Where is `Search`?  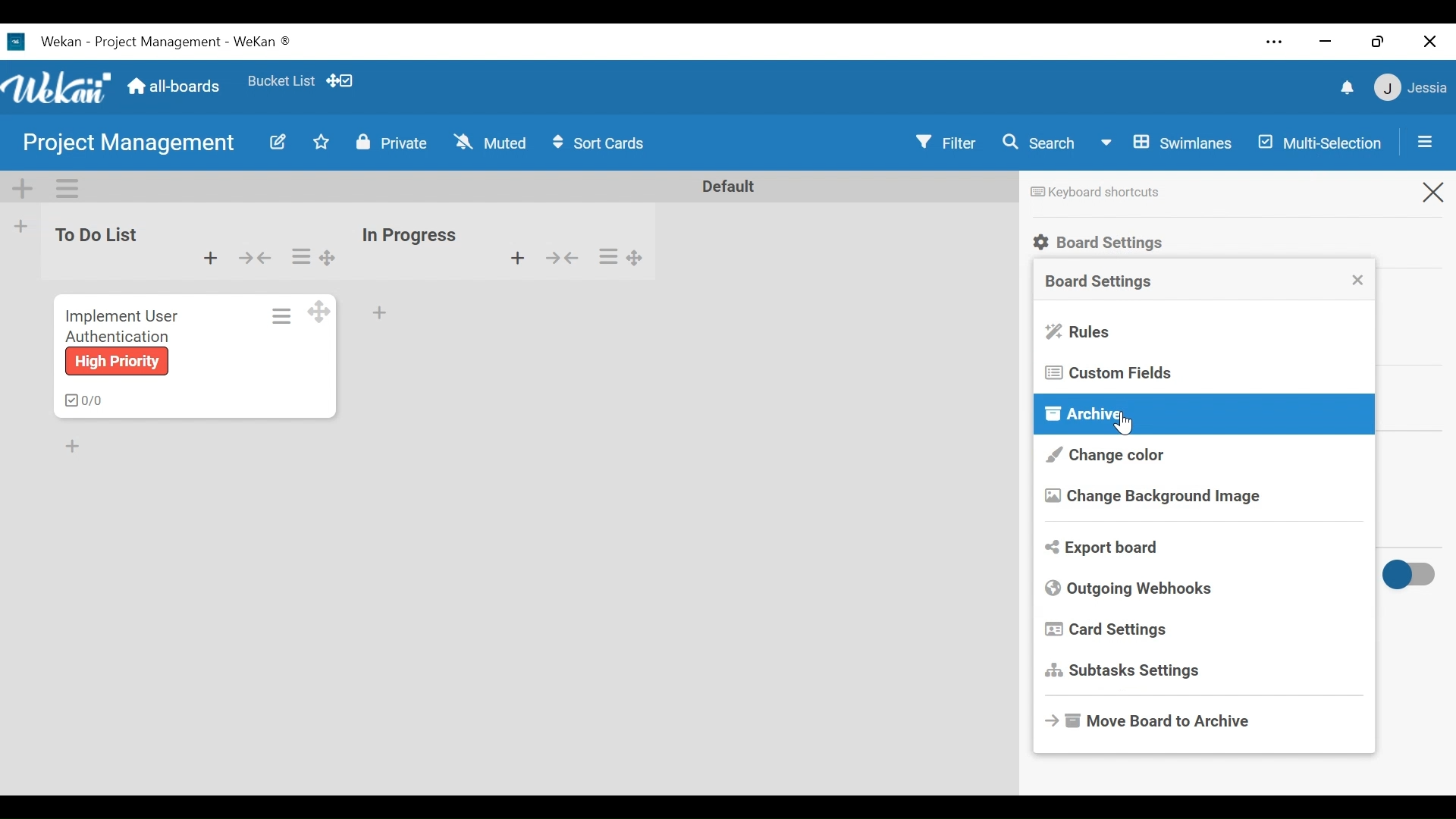
Search is located at coordinates (1038, 141).